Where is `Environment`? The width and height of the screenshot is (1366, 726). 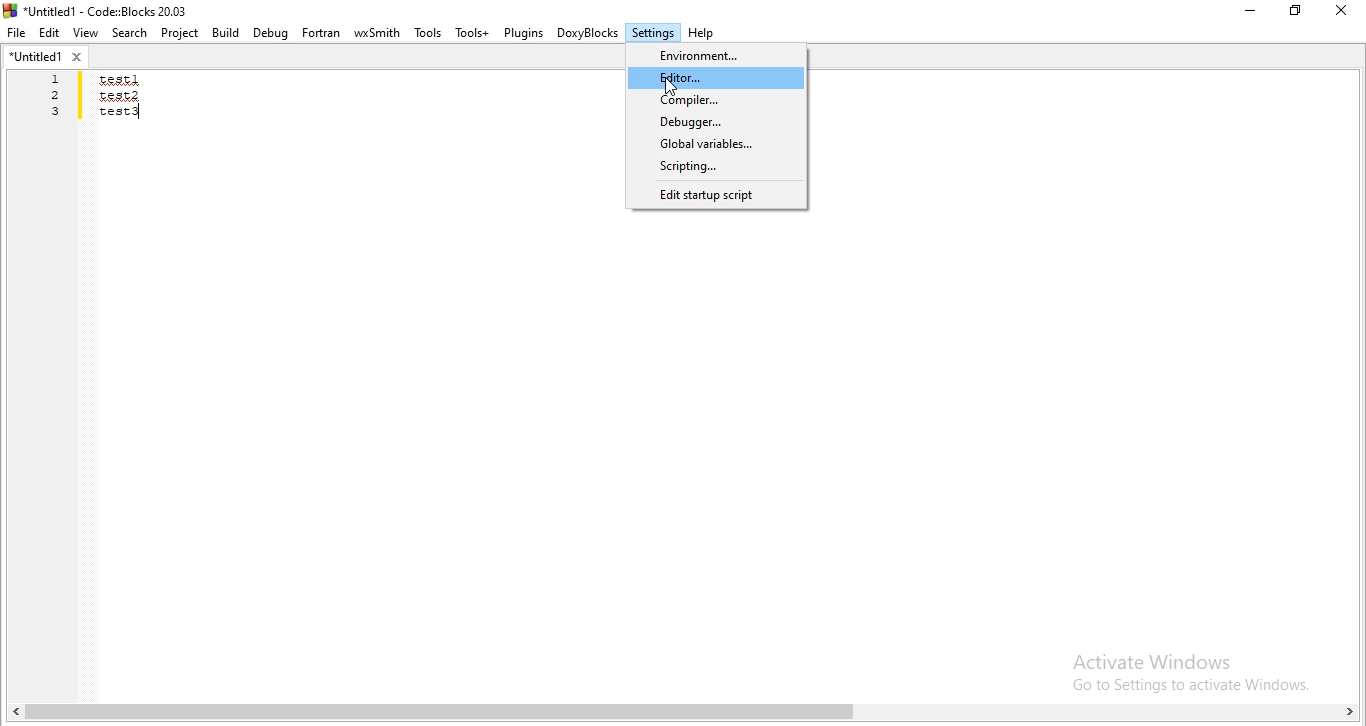
Environment is located at coordinates (719, 53).